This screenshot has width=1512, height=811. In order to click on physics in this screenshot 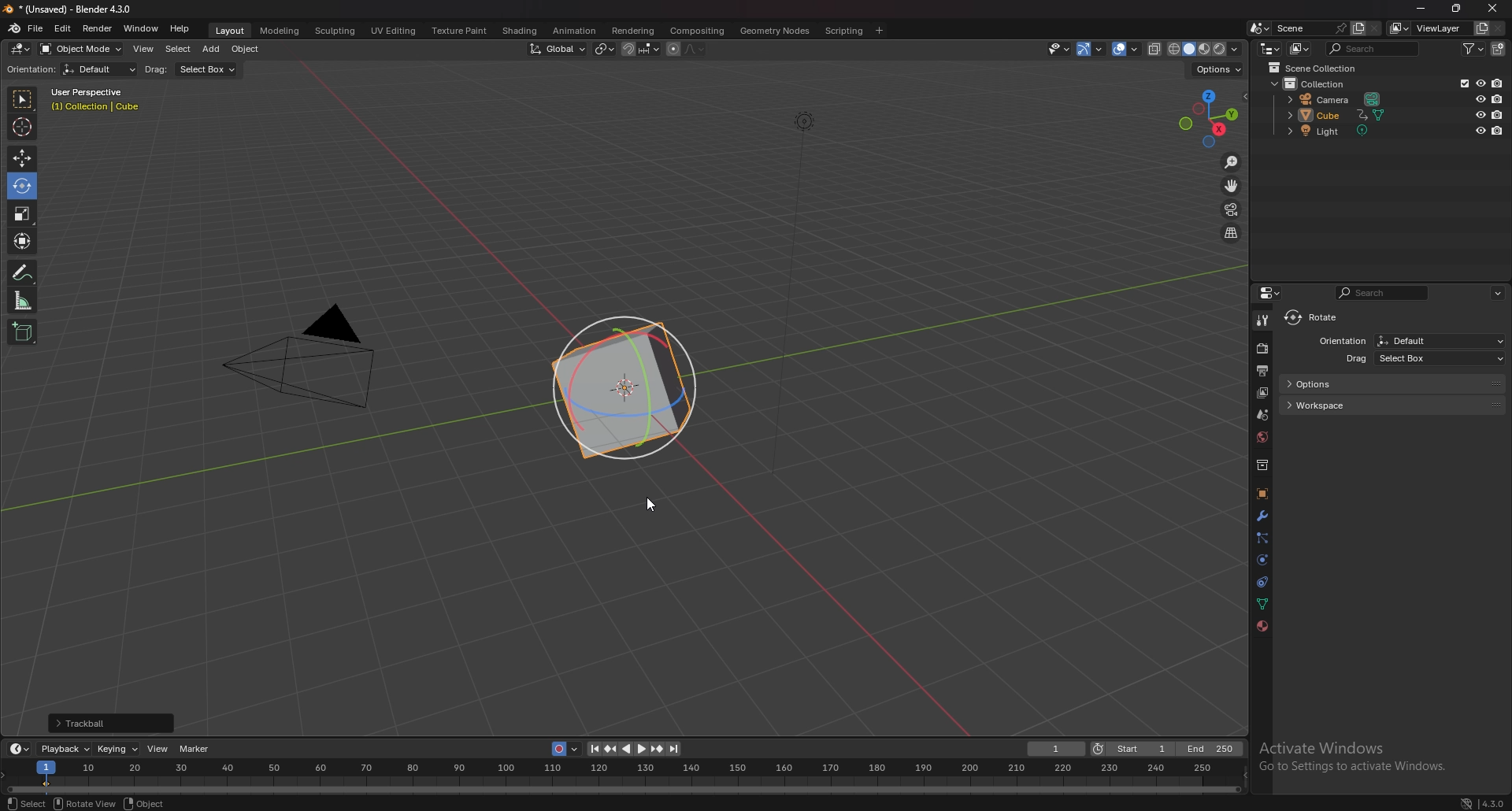, I will do `click(1262, 560)`.